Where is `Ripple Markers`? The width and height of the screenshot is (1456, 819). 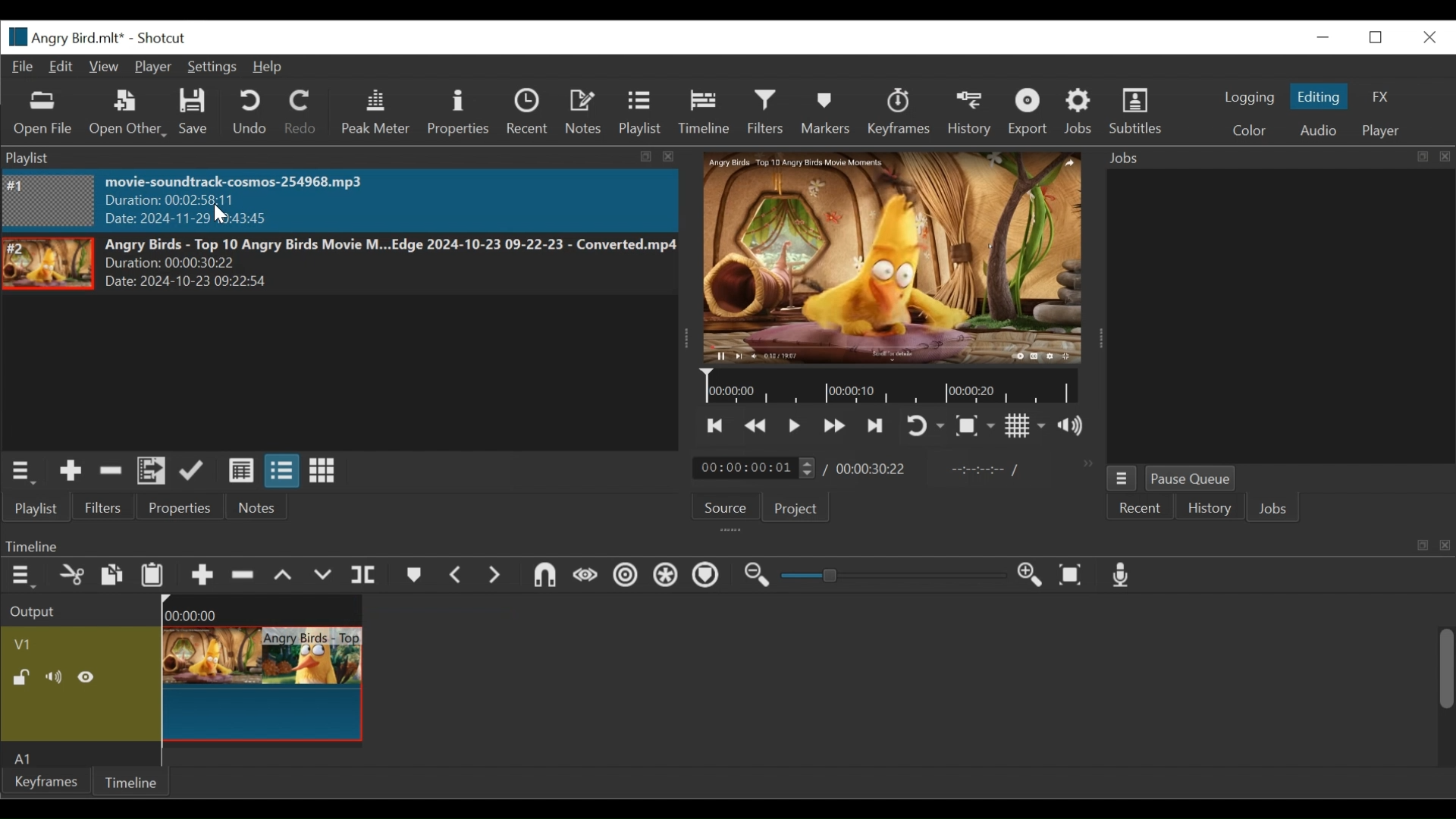 Ripple Markers is located at coordinates (706, 578).